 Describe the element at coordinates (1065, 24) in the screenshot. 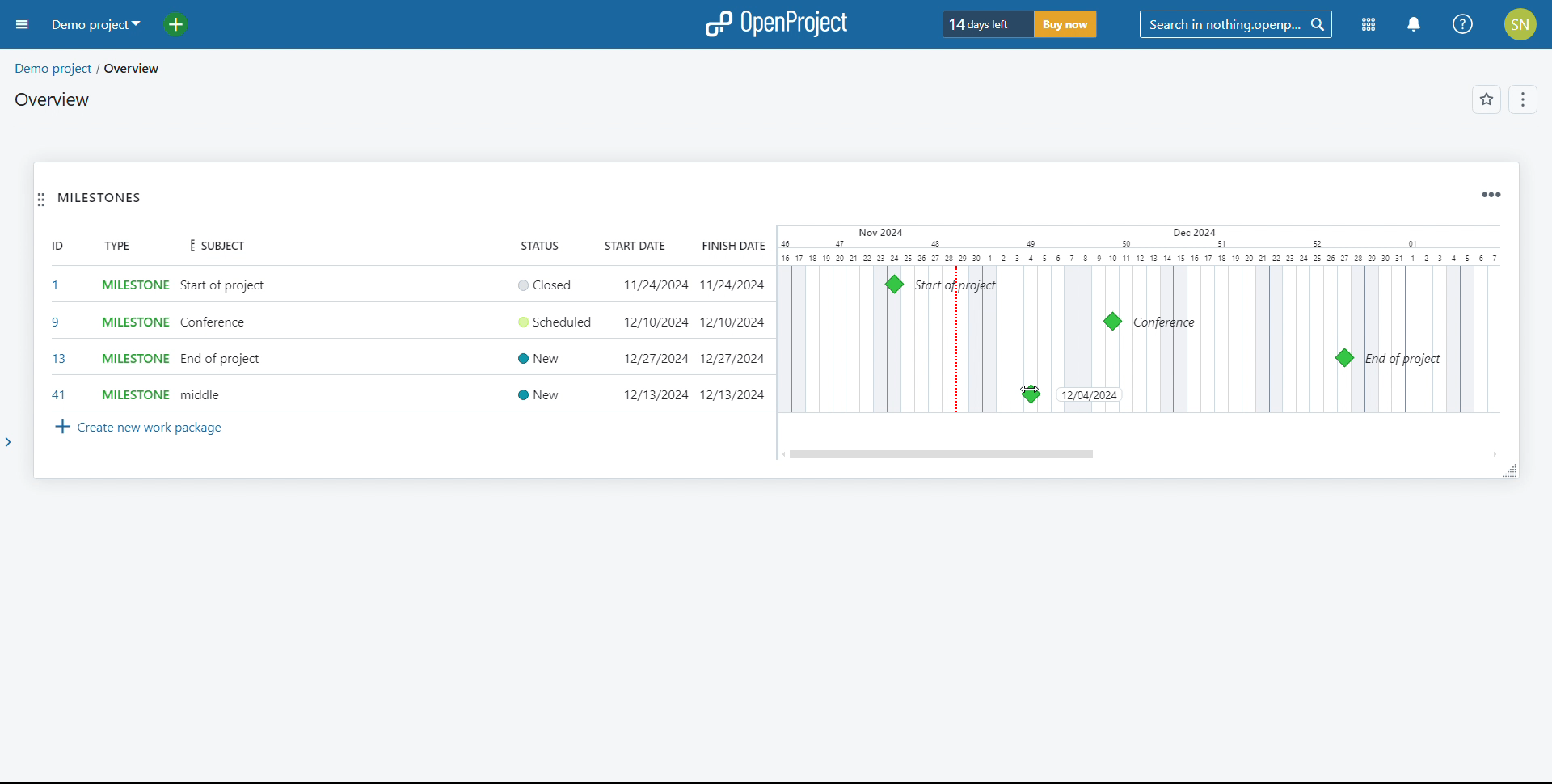

I see `buy now` at that location.